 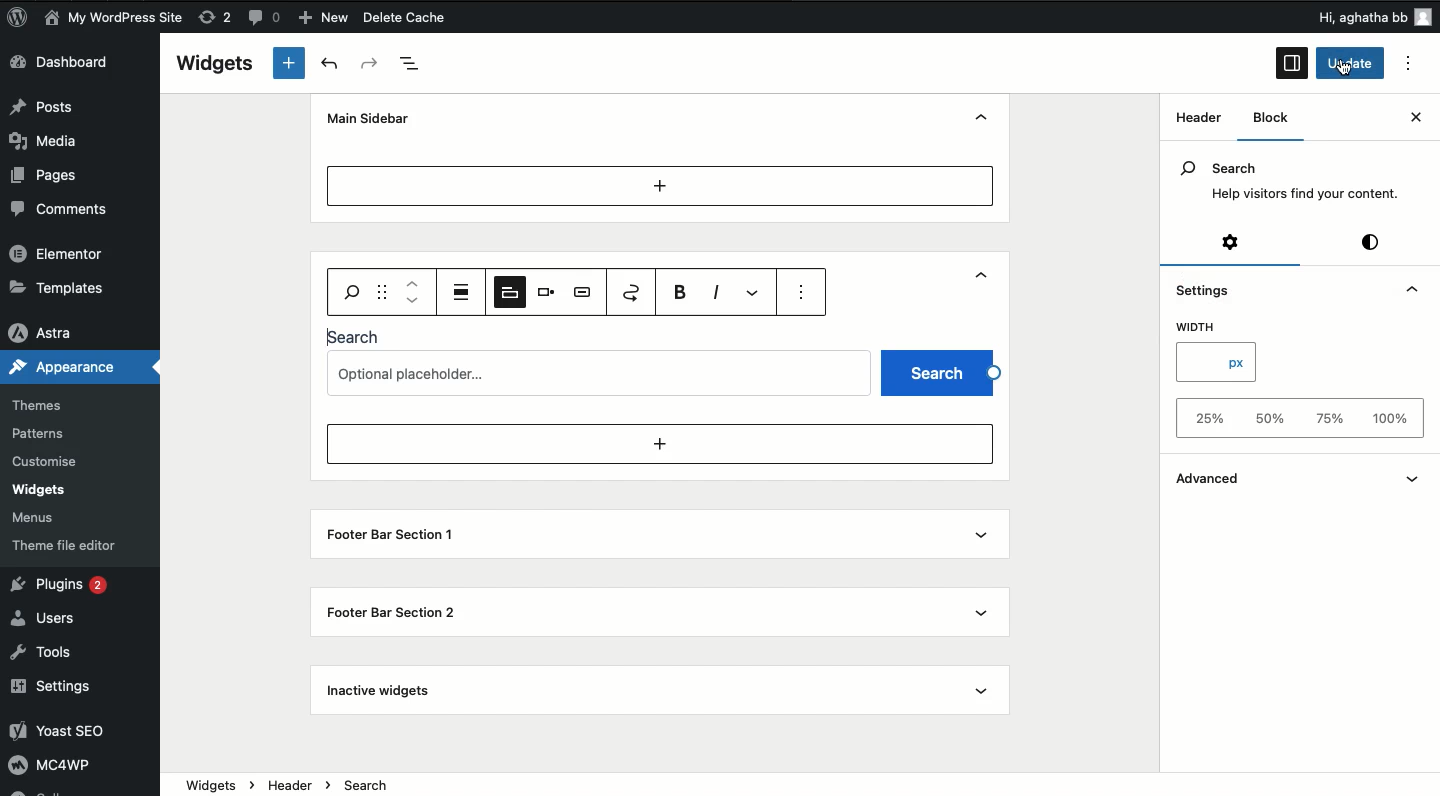 What do you see at coordinates (40, 490) in the screenshot?
I see `Widgets` at bounding box center [40, 490].